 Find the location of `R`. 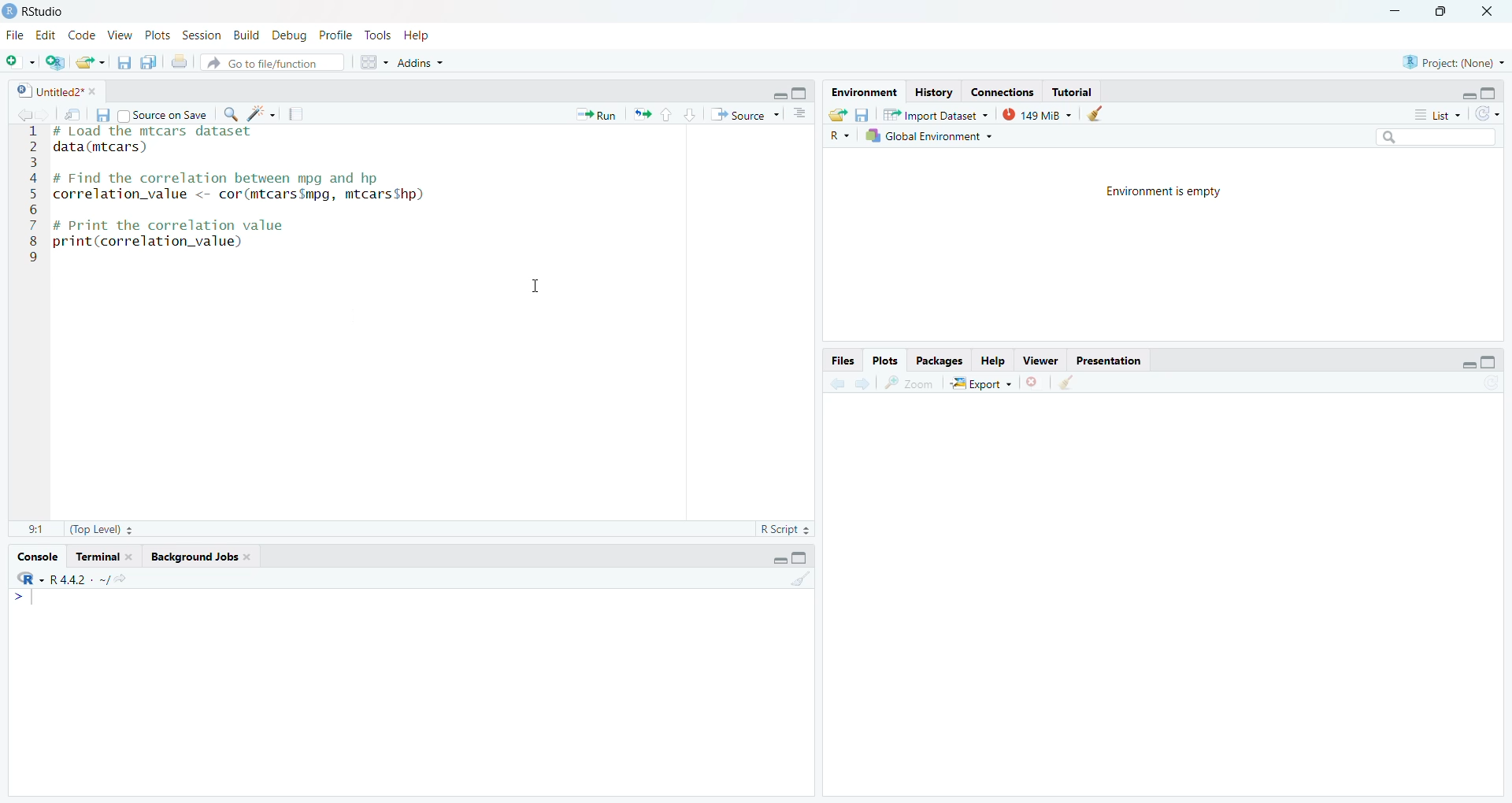

R is located at coordinates (27, 579).